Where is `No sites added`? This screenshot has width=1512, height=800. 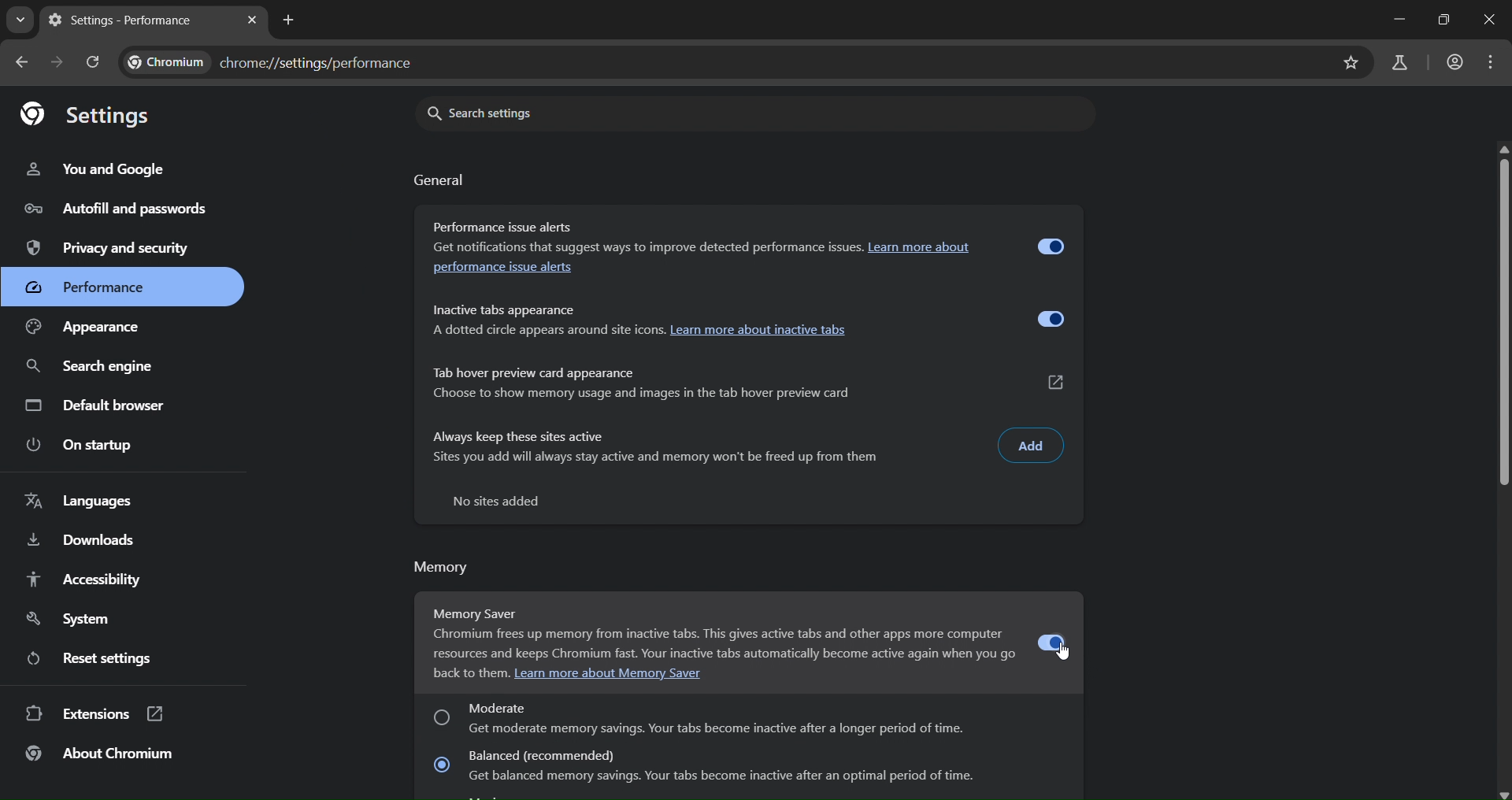
No sites added is located at coordinates (496, 503).